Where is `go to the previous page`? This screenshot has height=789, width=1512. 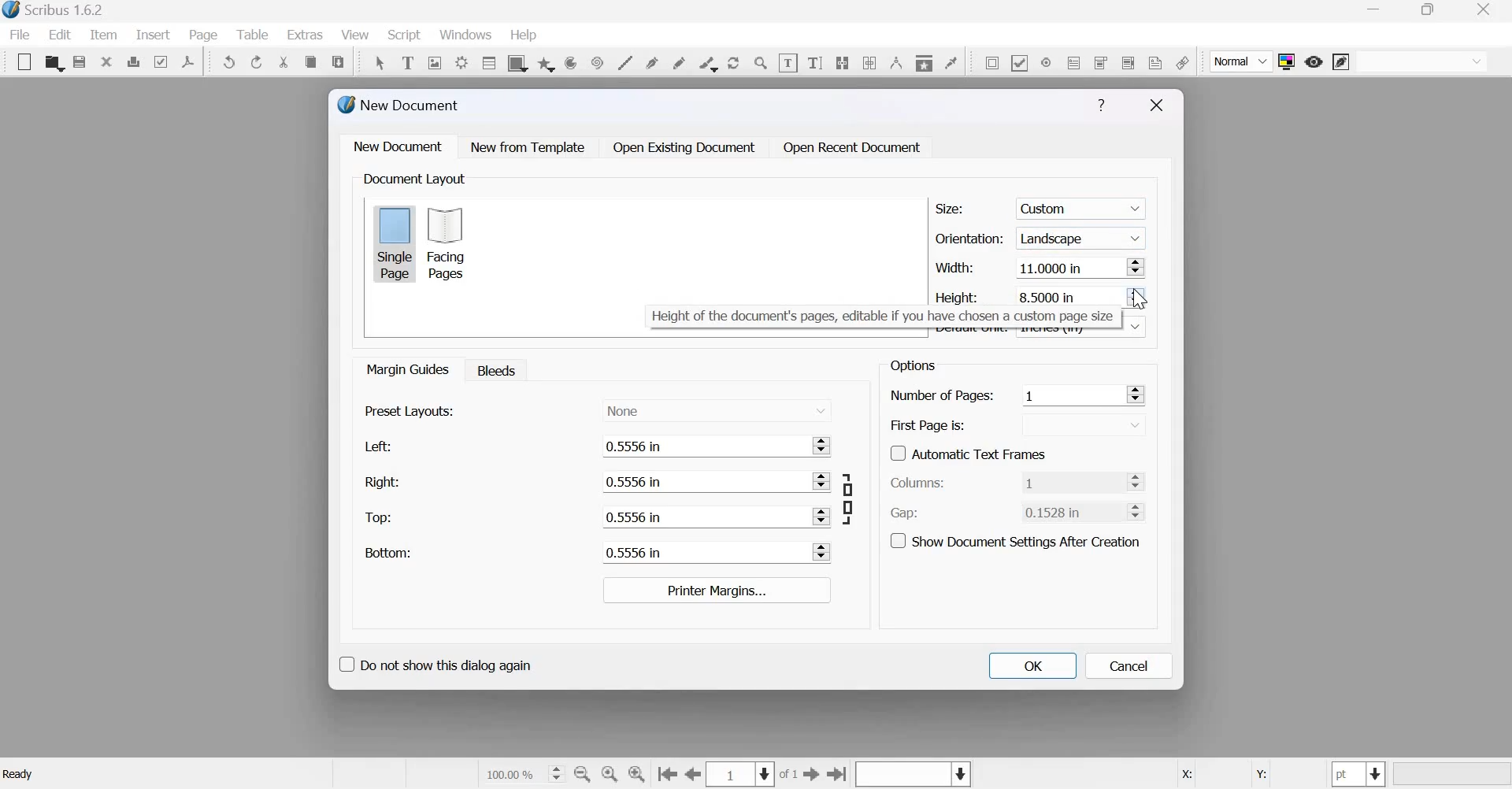 go to the previous page is located at coordinates (694, 774).